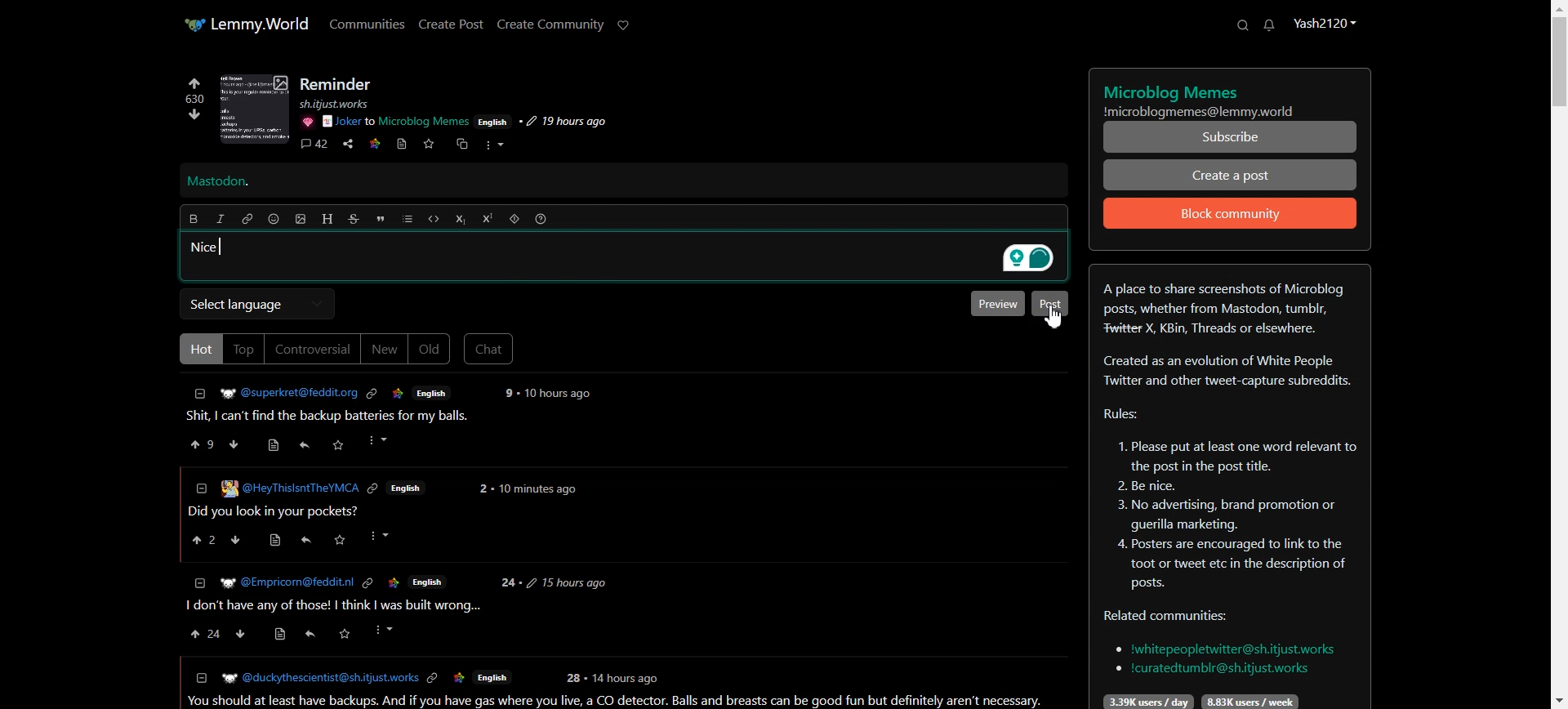 The height and width of the screenshot is (709, 1568). I want to click on Chat, so click(489, 349).